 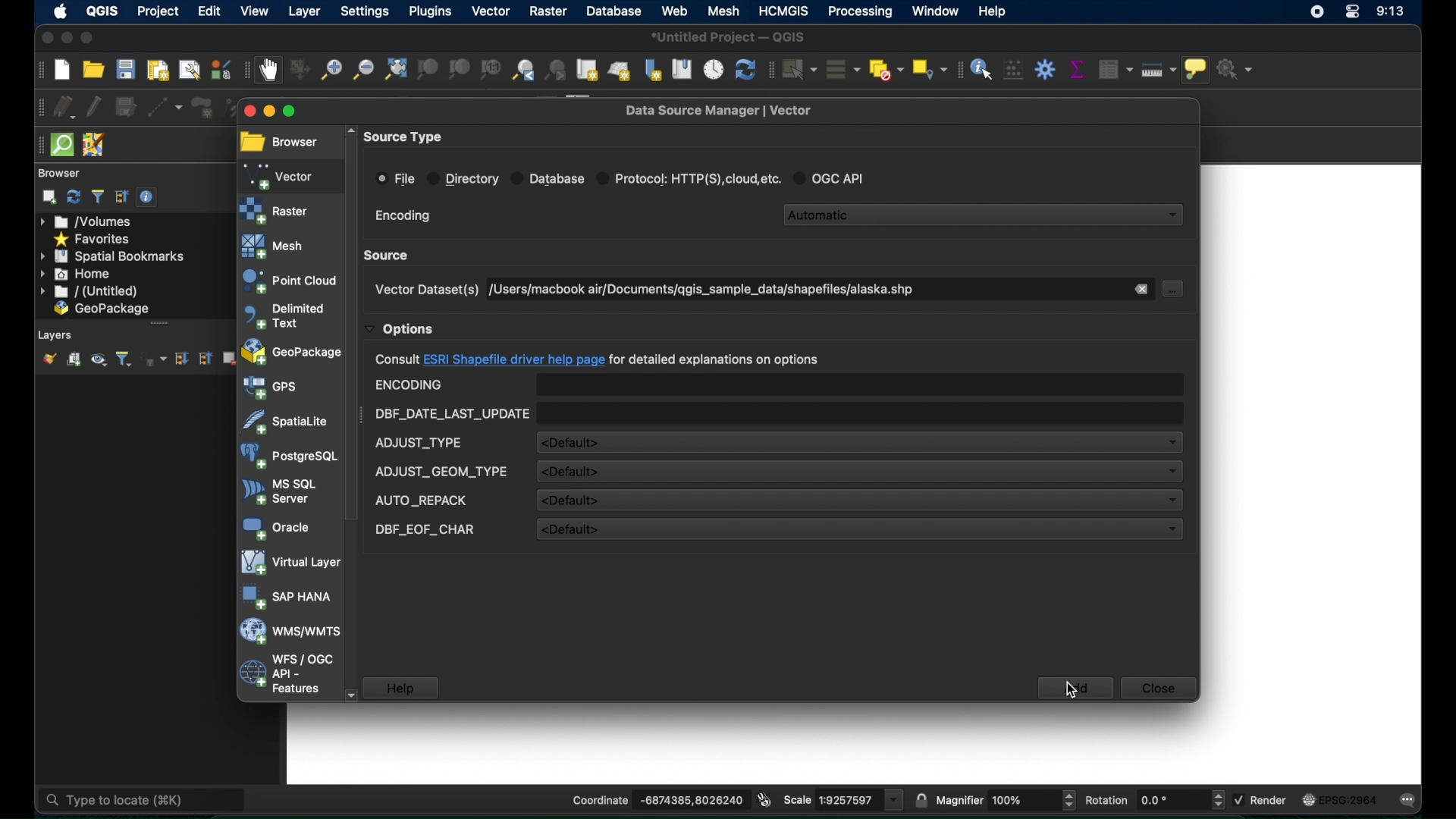 I want to click on layer, so click(x=302, y=11).